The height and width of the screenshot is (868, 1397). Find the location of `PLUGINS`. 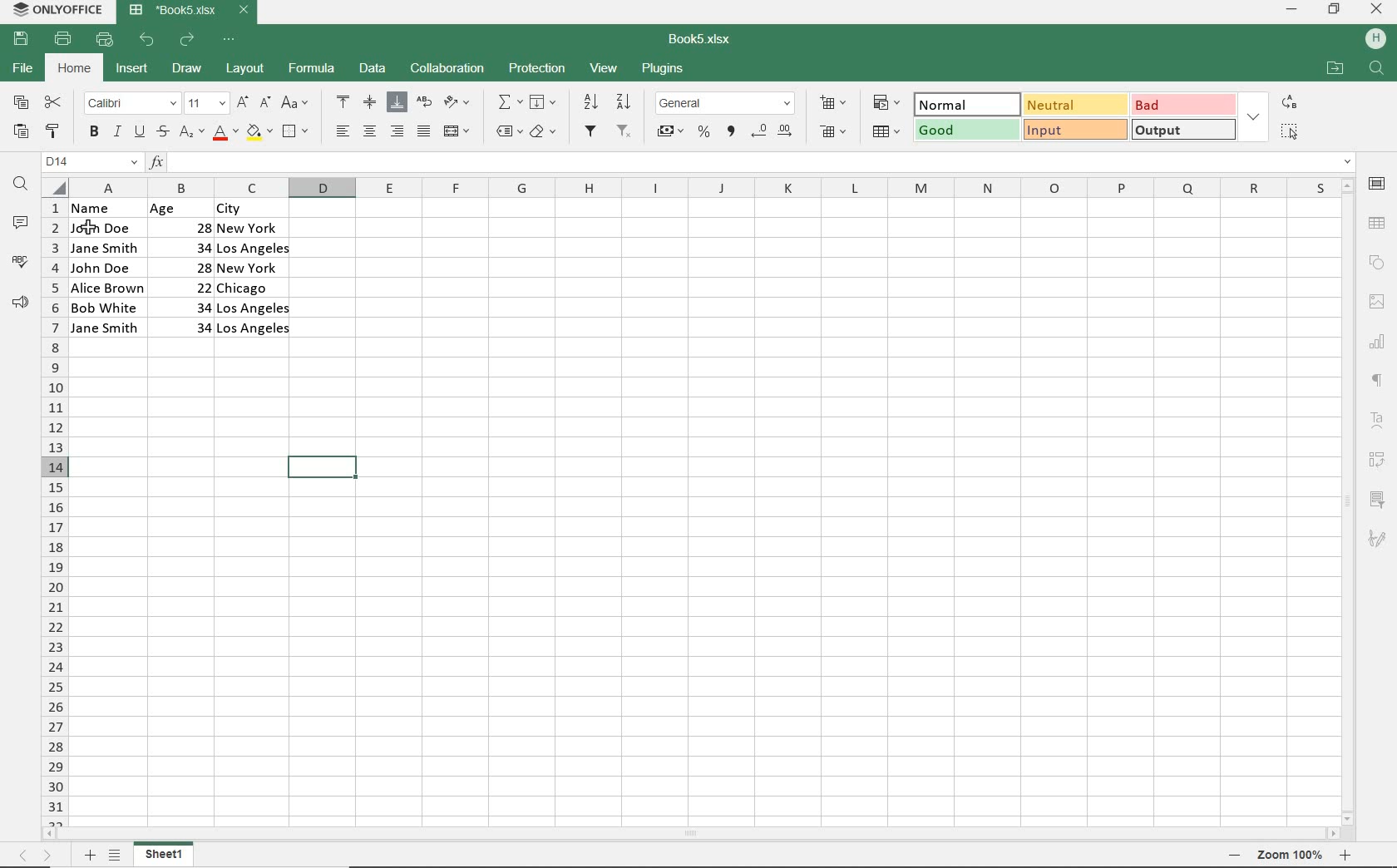

PLUGINS is located at coordinates (664, 70).